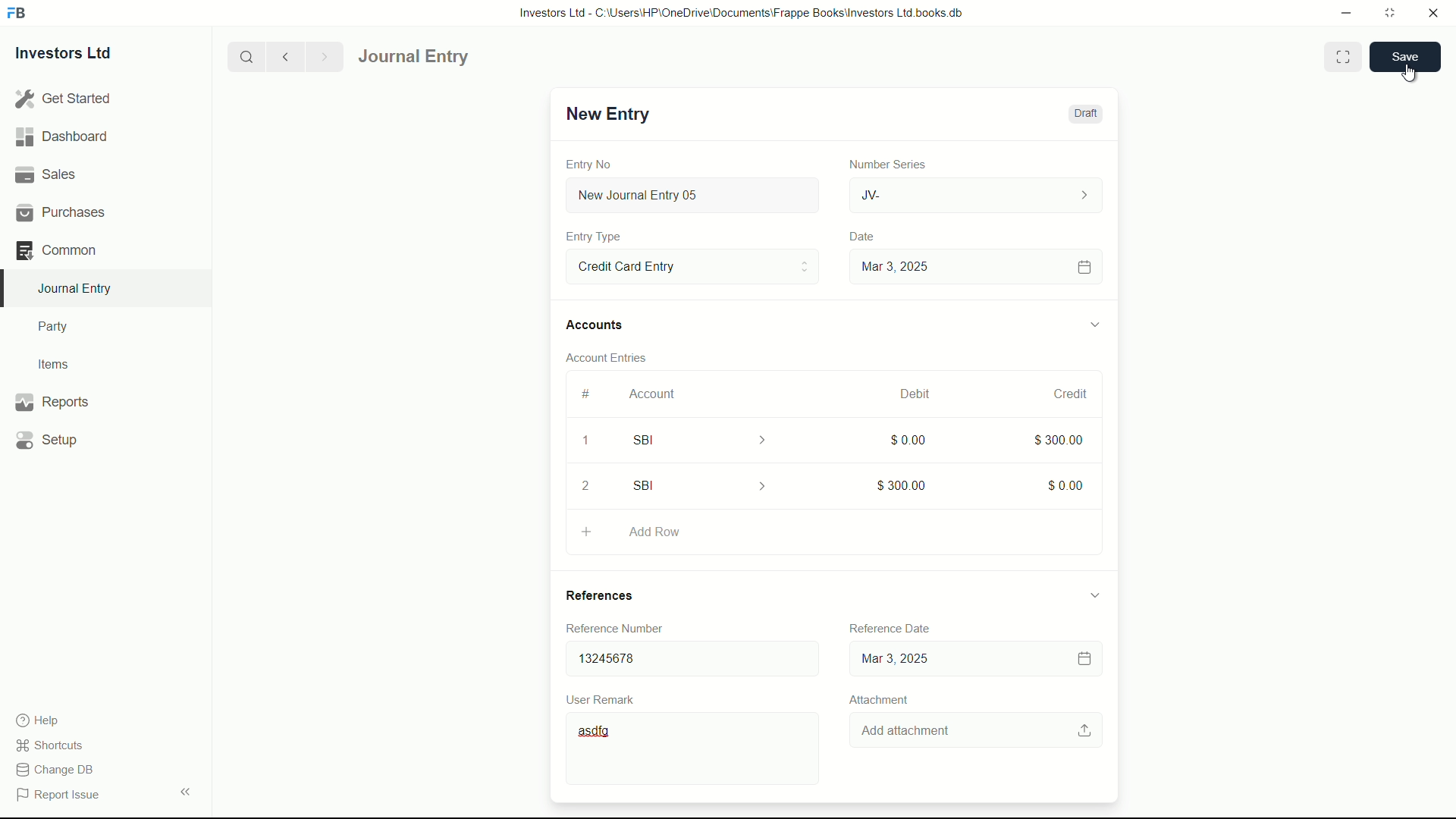 This screenshot has width=1456, height=819. What do you see at coordinates (1084, 114) in the screenshot?
I see `Draft` at bounding box center [1084, 114].